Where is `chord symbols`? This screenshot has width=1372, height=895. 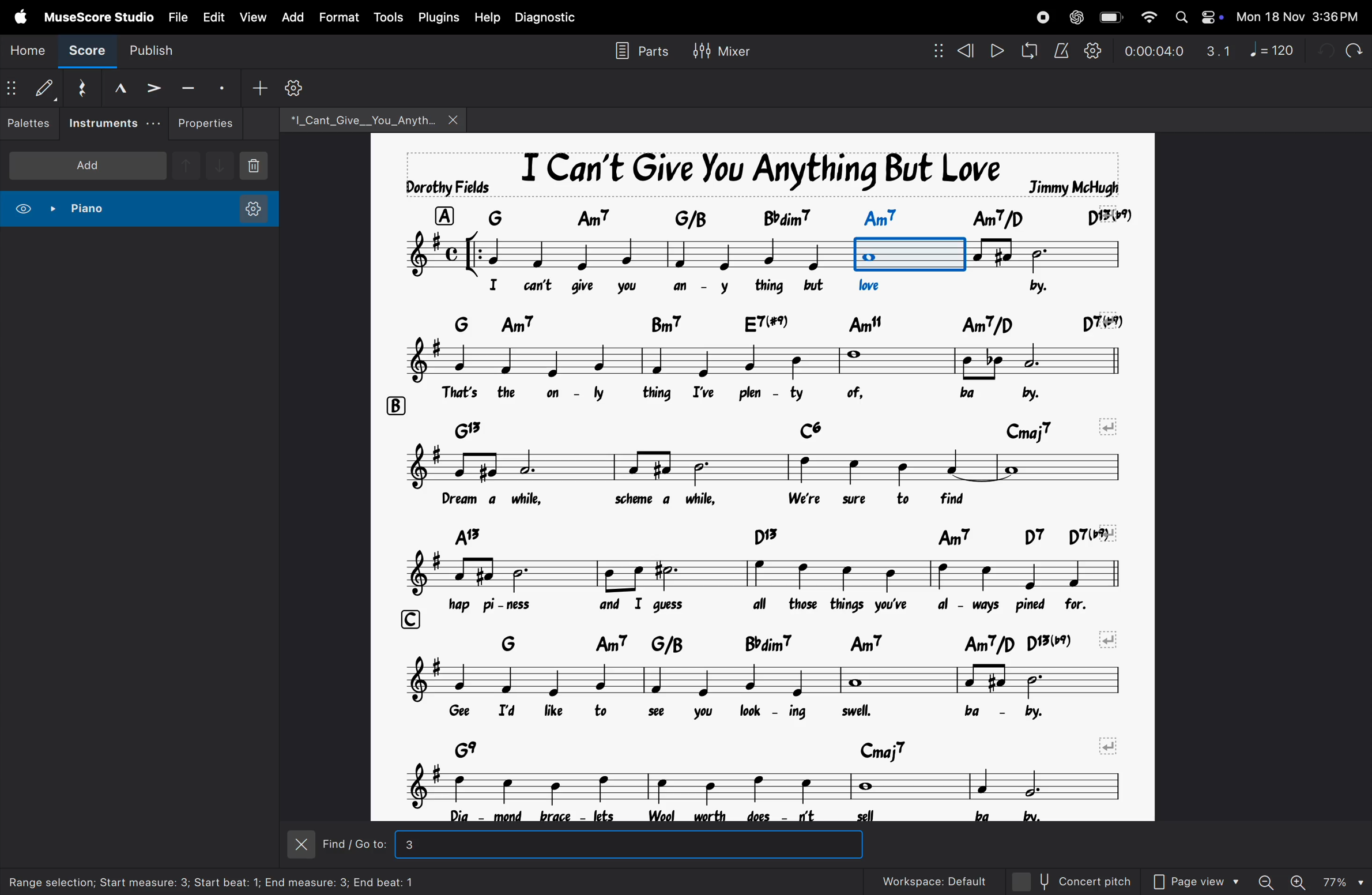
chord symbols is located at coordinates (782, 535).